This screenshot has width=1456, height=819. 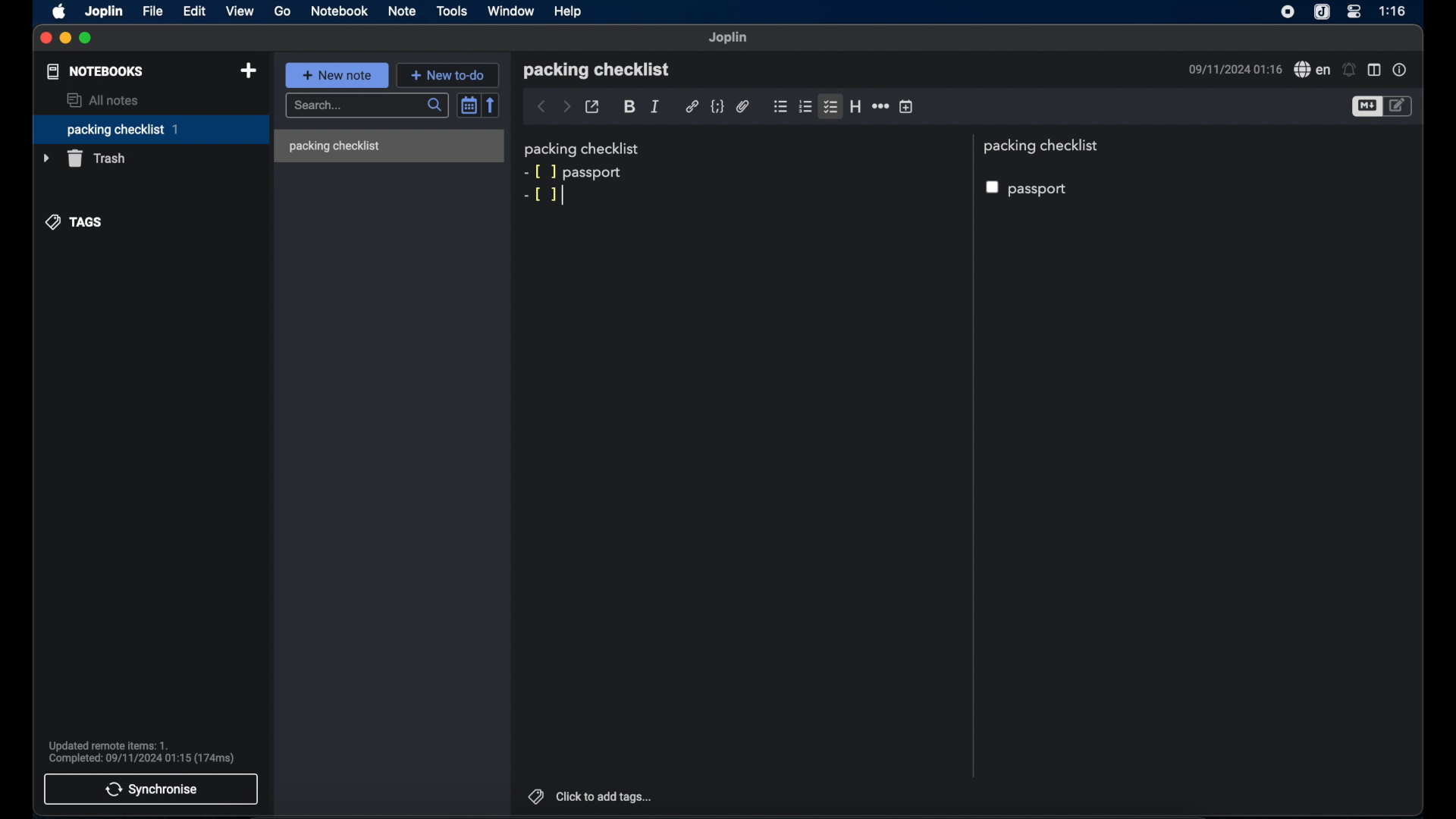 I want to click on italic, so click(x=654, y=105).